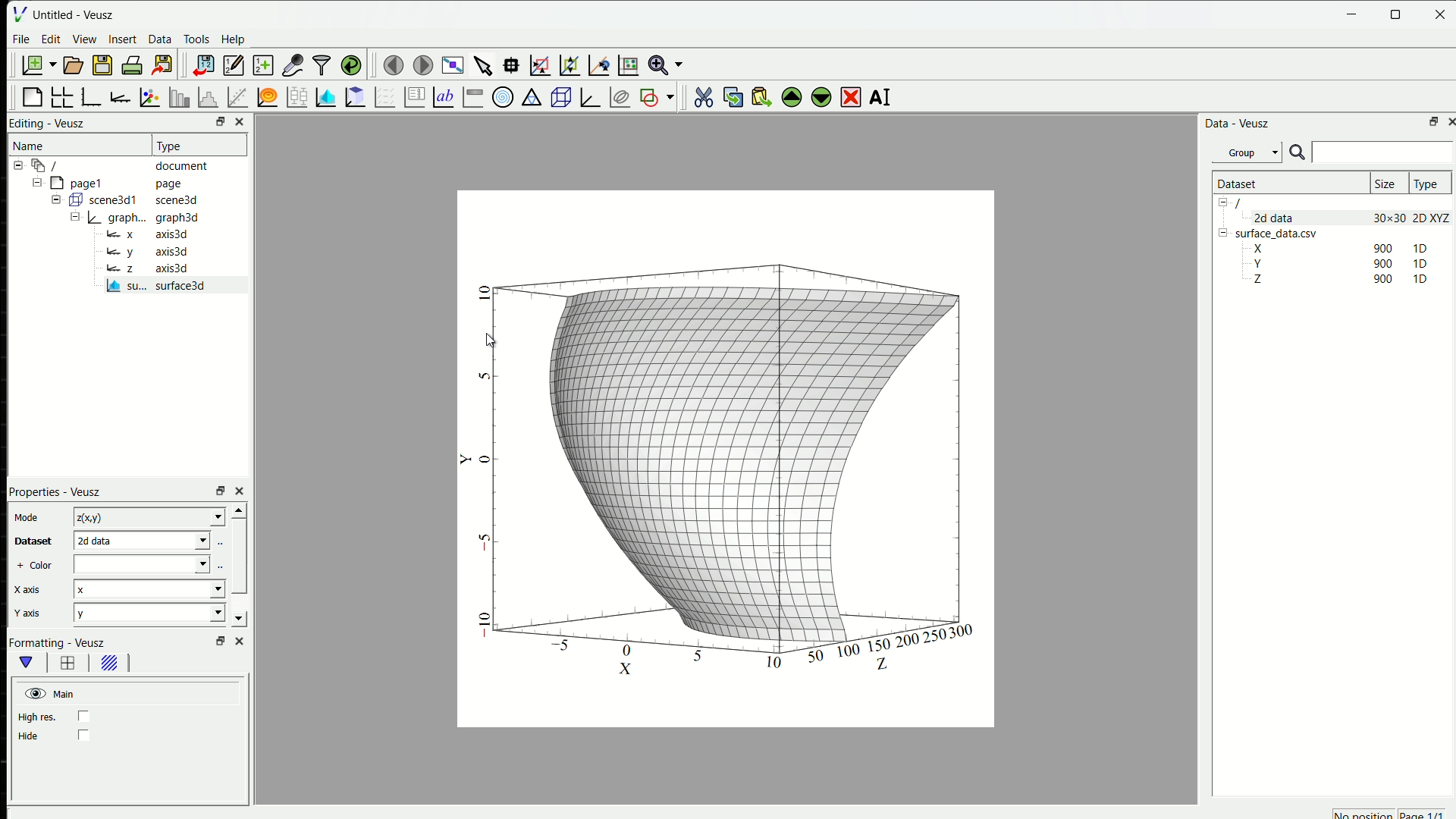 This screenshot has width=1456, height=819. What do you see at coordinates (293, 64) in the screenshot?
I see `capture remote data` at bounding box center [293, 64].